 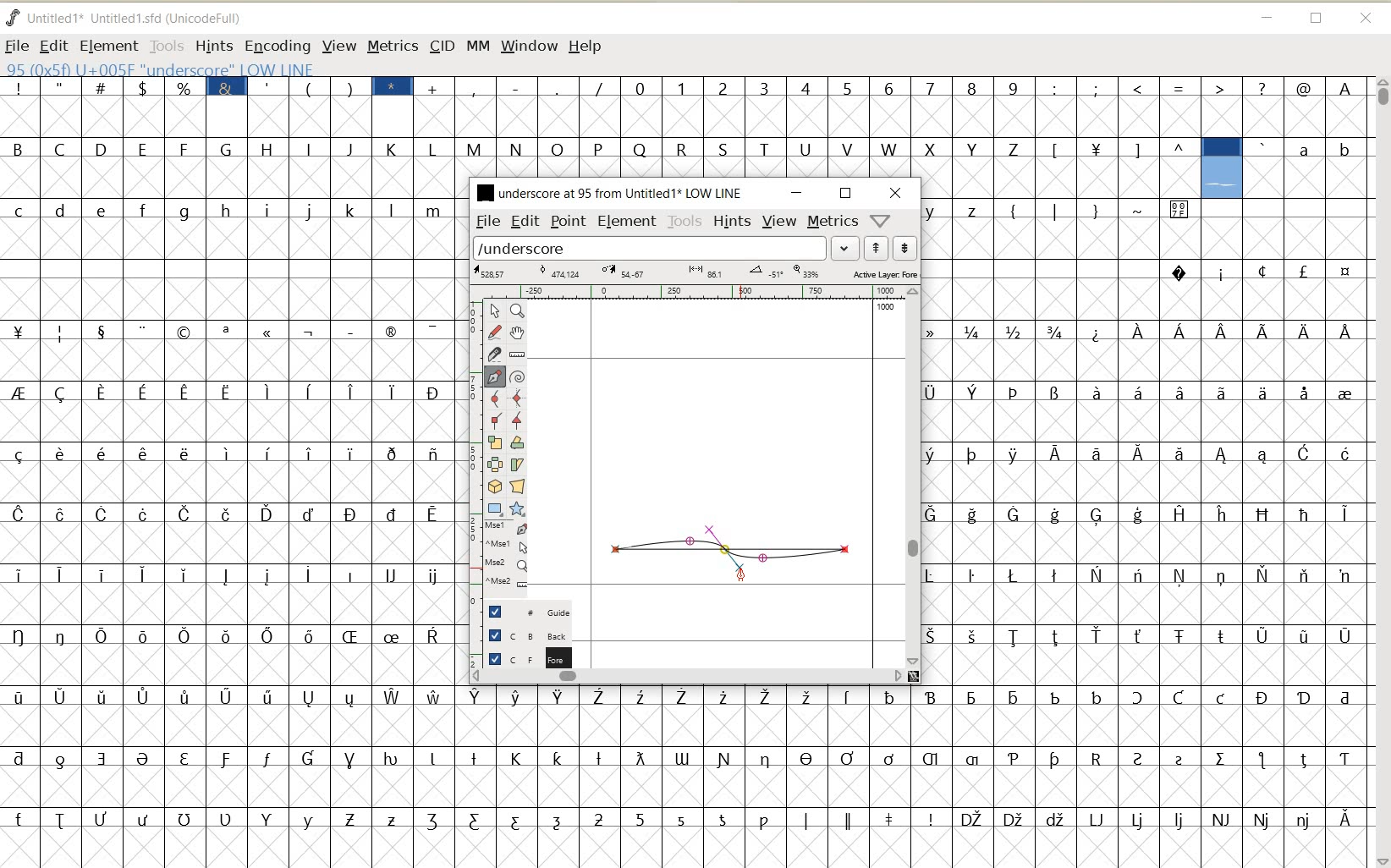 What do you see at coordinates (517, 486) in the screenshot?
I see `perform a perspective transformation on the selection` at bounding box center [517, 486].